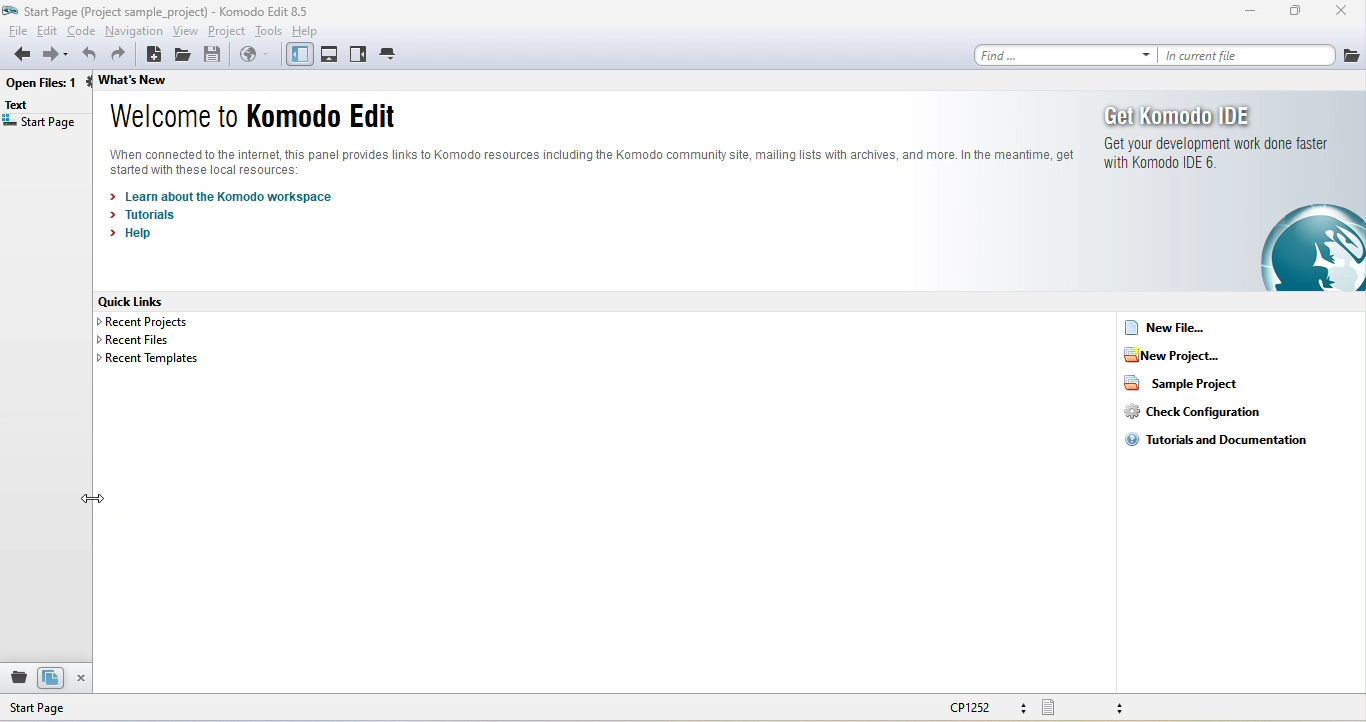 The height and width of the screenshot is (722, 1366). What do you see at coordinates (85, 679) in the screenshot?
I see `close pane` at bounding box center [85, 679].